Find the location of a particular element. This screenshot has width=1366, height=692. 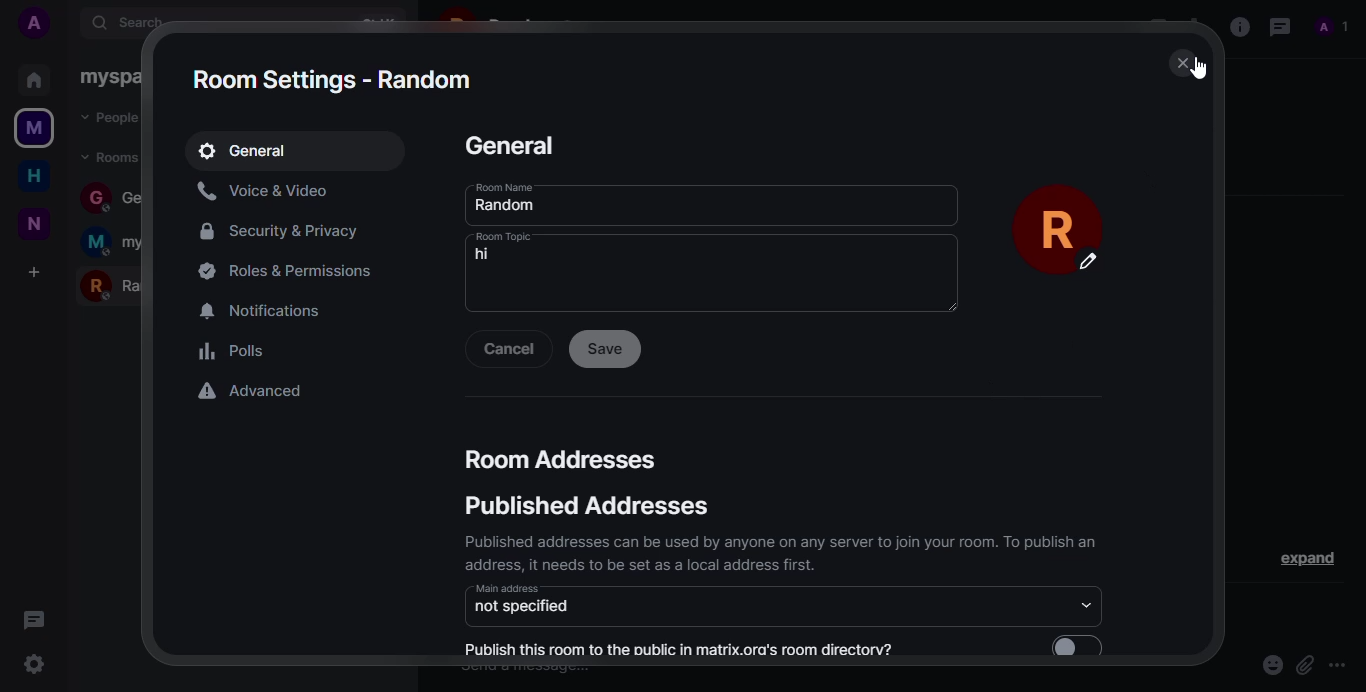

publish this room to the public in matrix.org's room directory? is located at coordinates (679, 650).